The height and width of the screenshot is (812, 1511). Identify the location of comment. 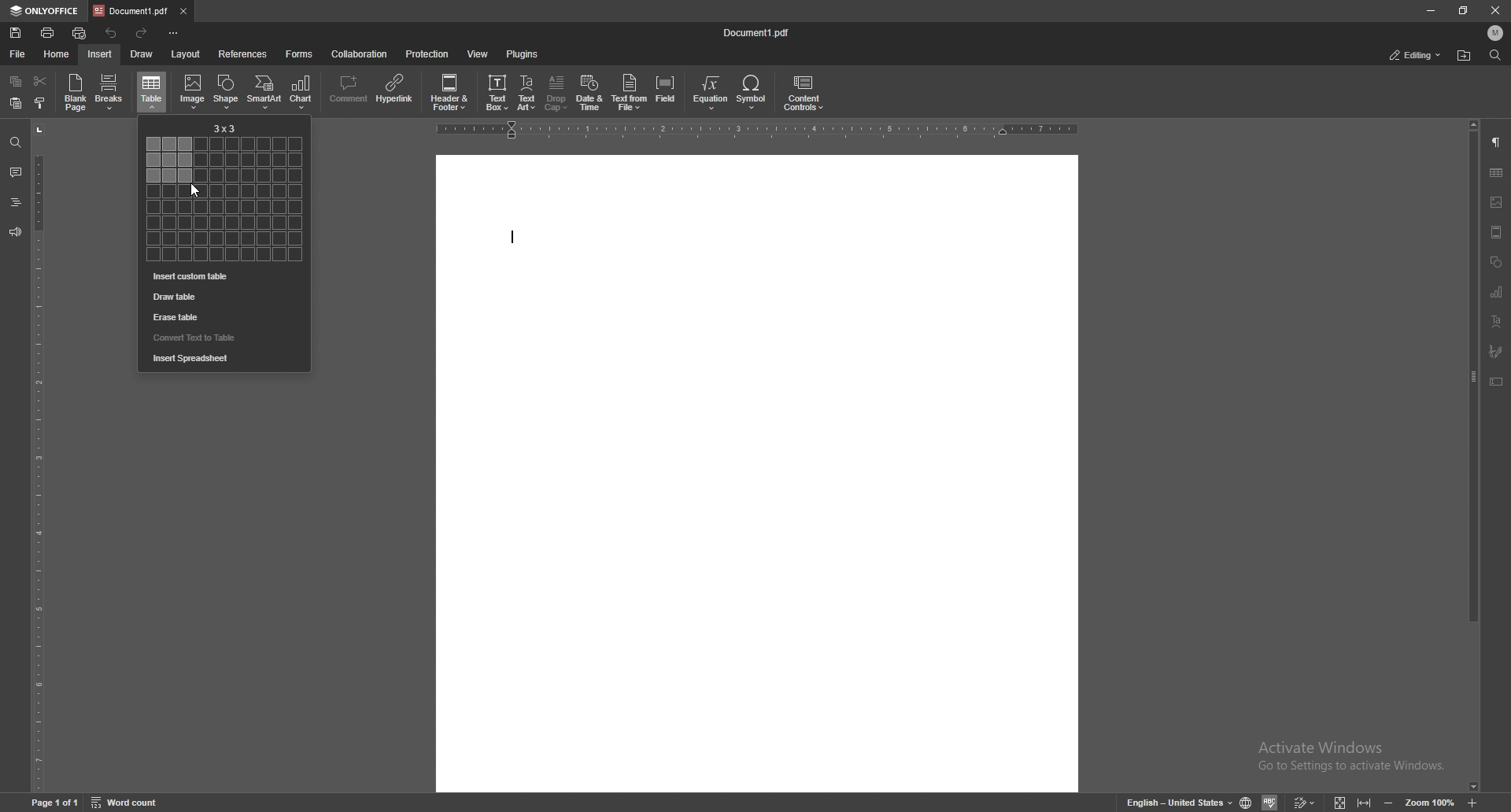
(348, 92).